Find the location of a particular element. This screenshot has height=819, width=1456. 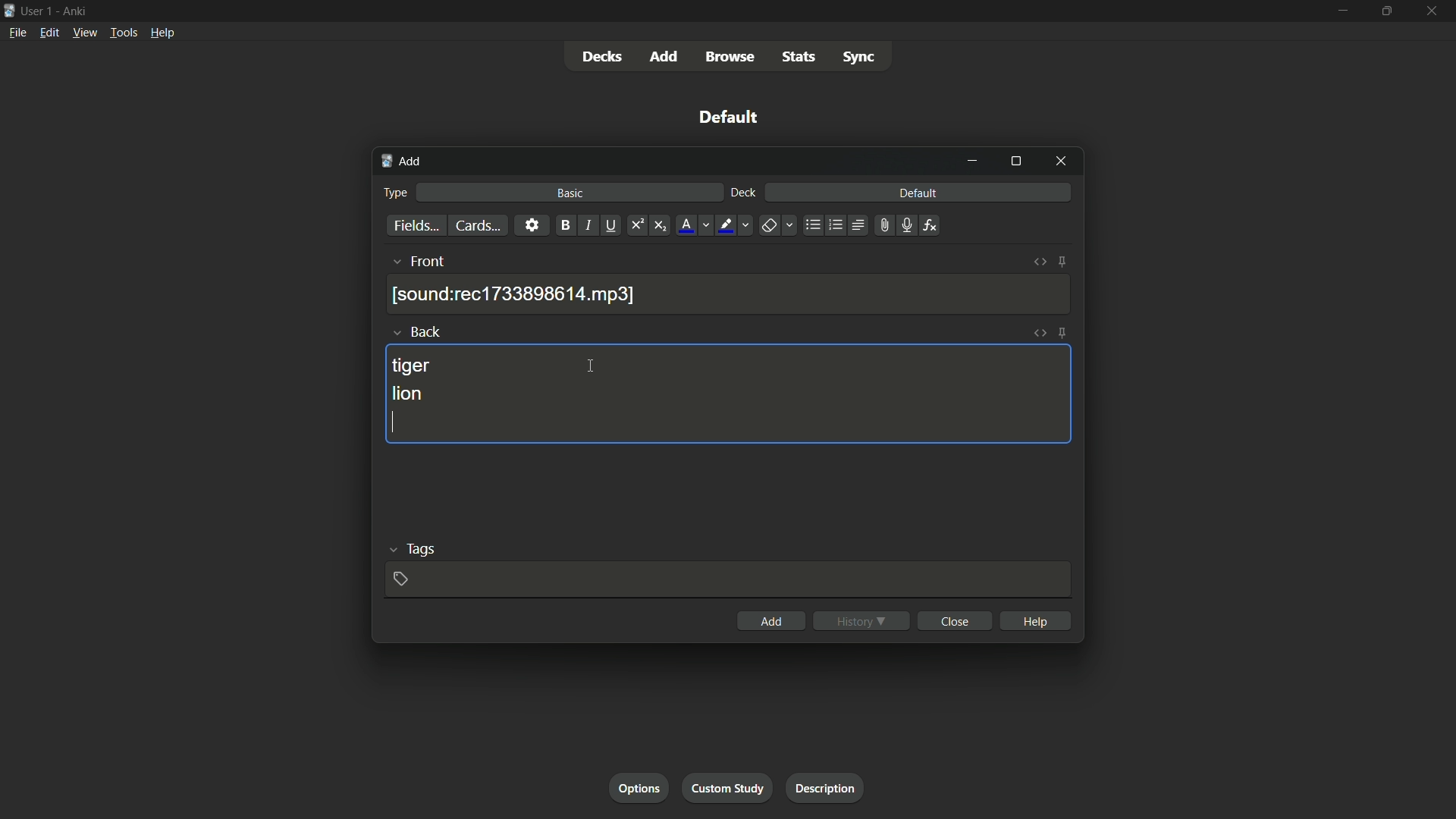

edit menu is located at coordinates (49, 33).